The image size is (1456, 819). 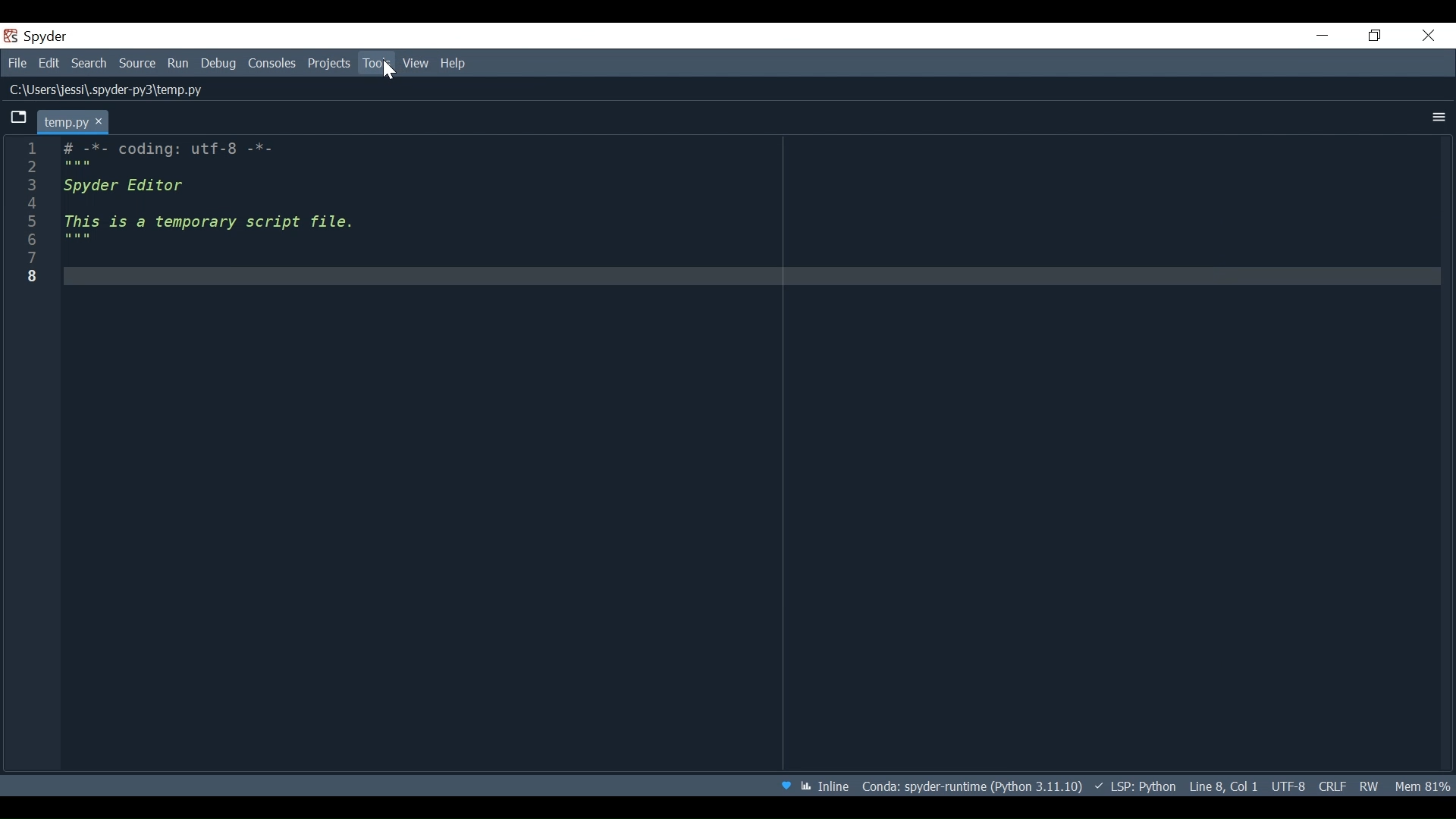 I want to click on Memory Usage, so click(x=1420, y=785).